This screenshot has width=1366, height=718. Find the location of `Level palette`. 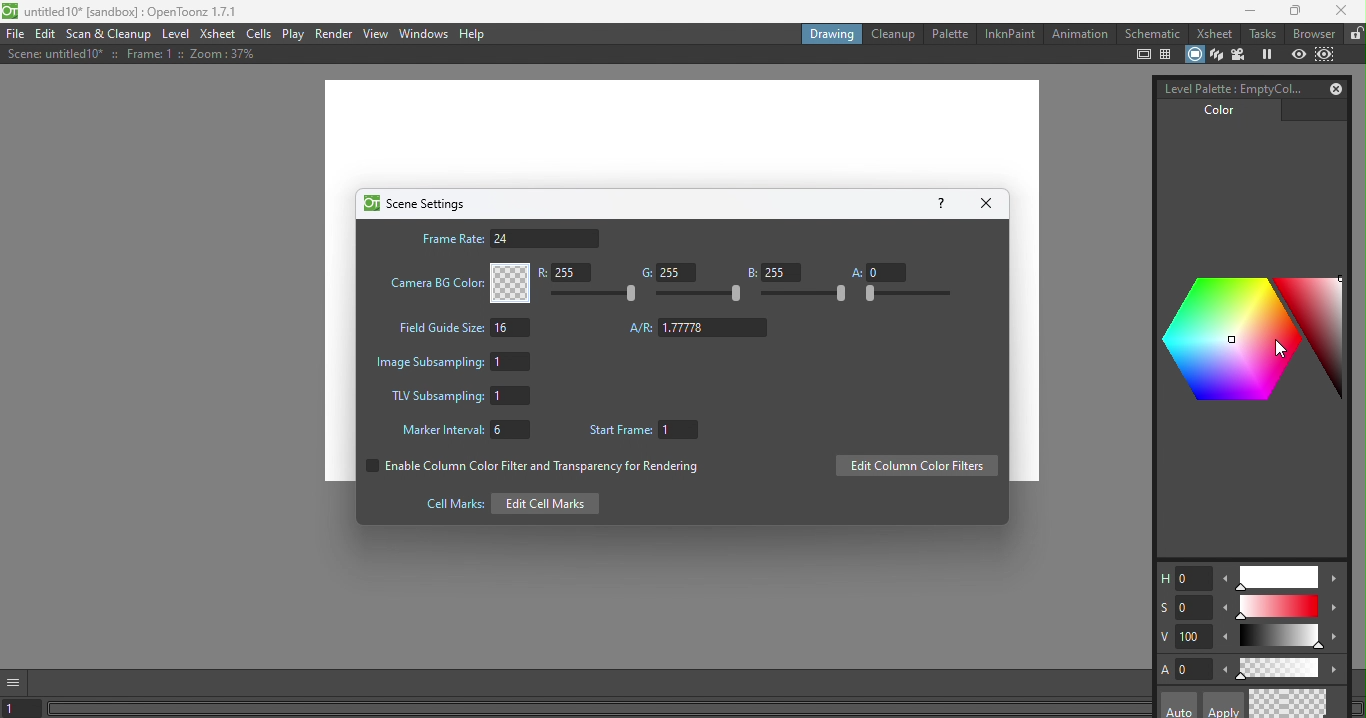

Level palette is located at coordinates (1228, 87).